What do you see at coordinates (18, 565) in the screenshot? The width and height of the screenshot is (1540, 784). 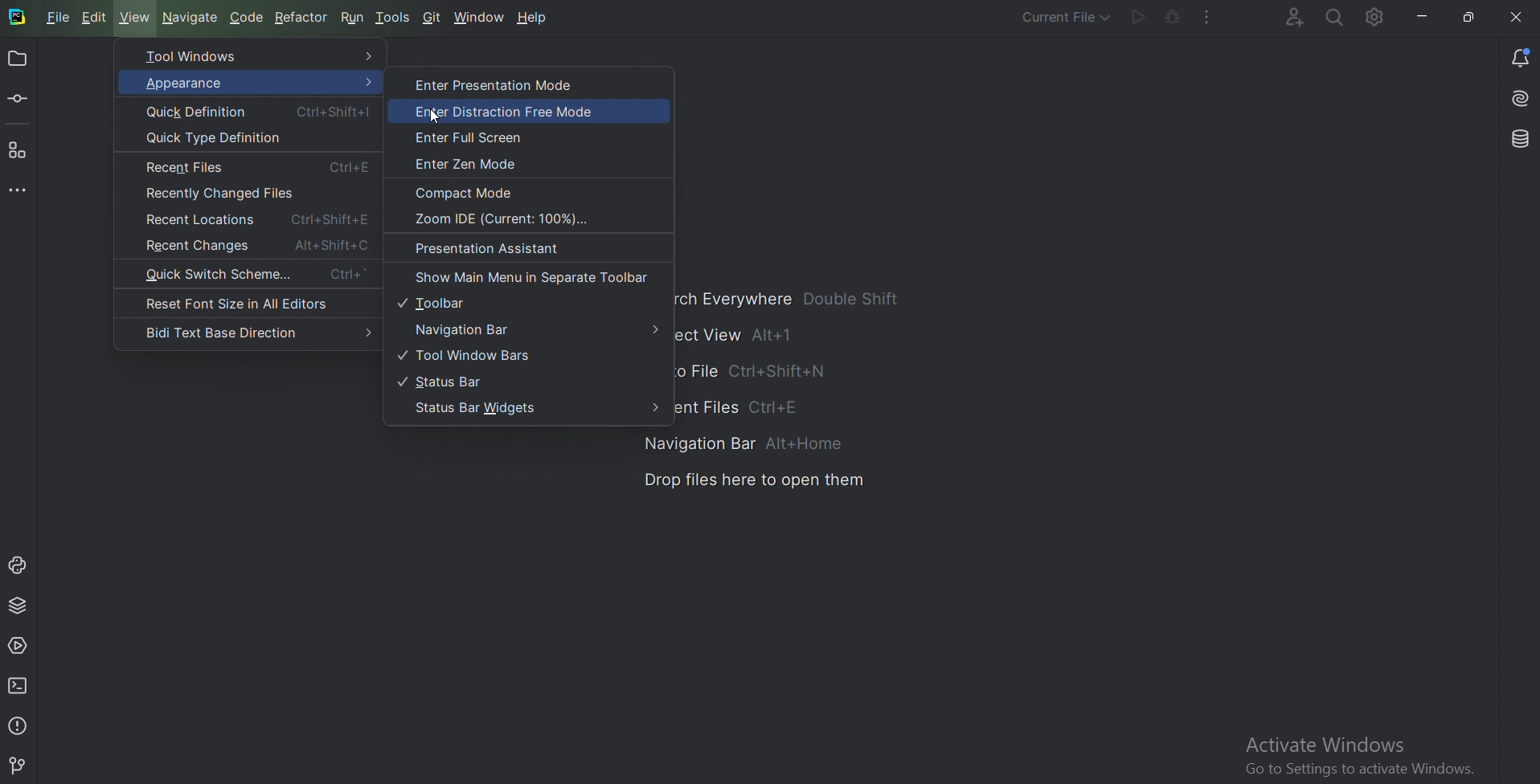 I see `Python console` at bounding box center [18, 565].